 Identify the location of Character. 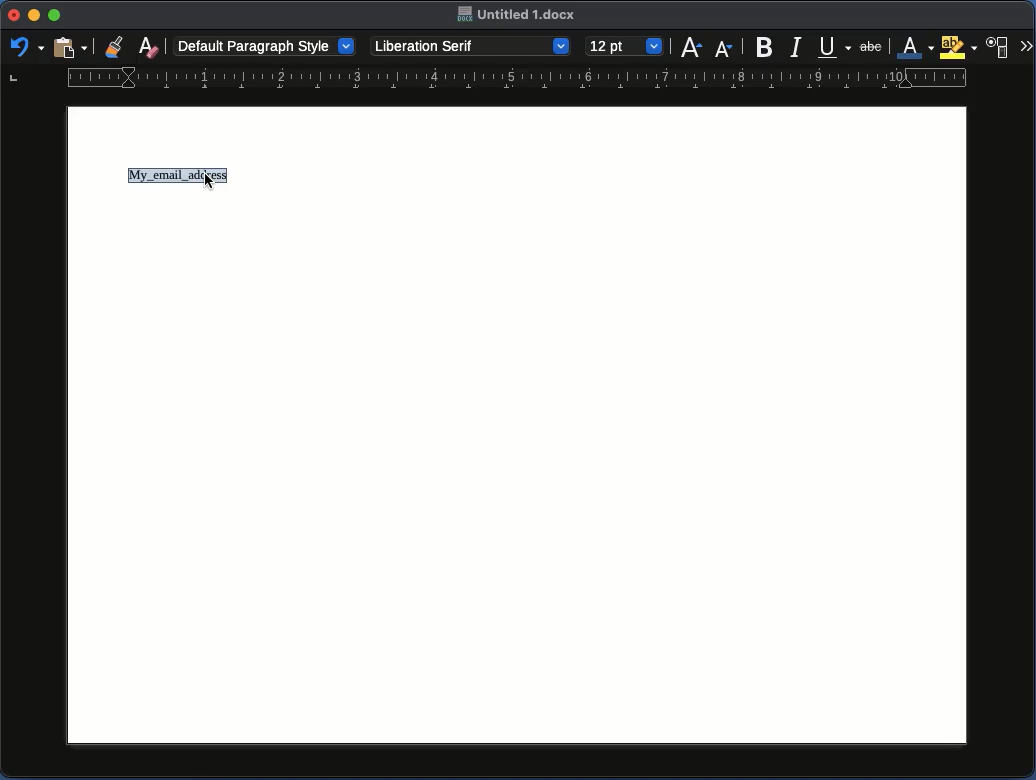
(1000, 45).